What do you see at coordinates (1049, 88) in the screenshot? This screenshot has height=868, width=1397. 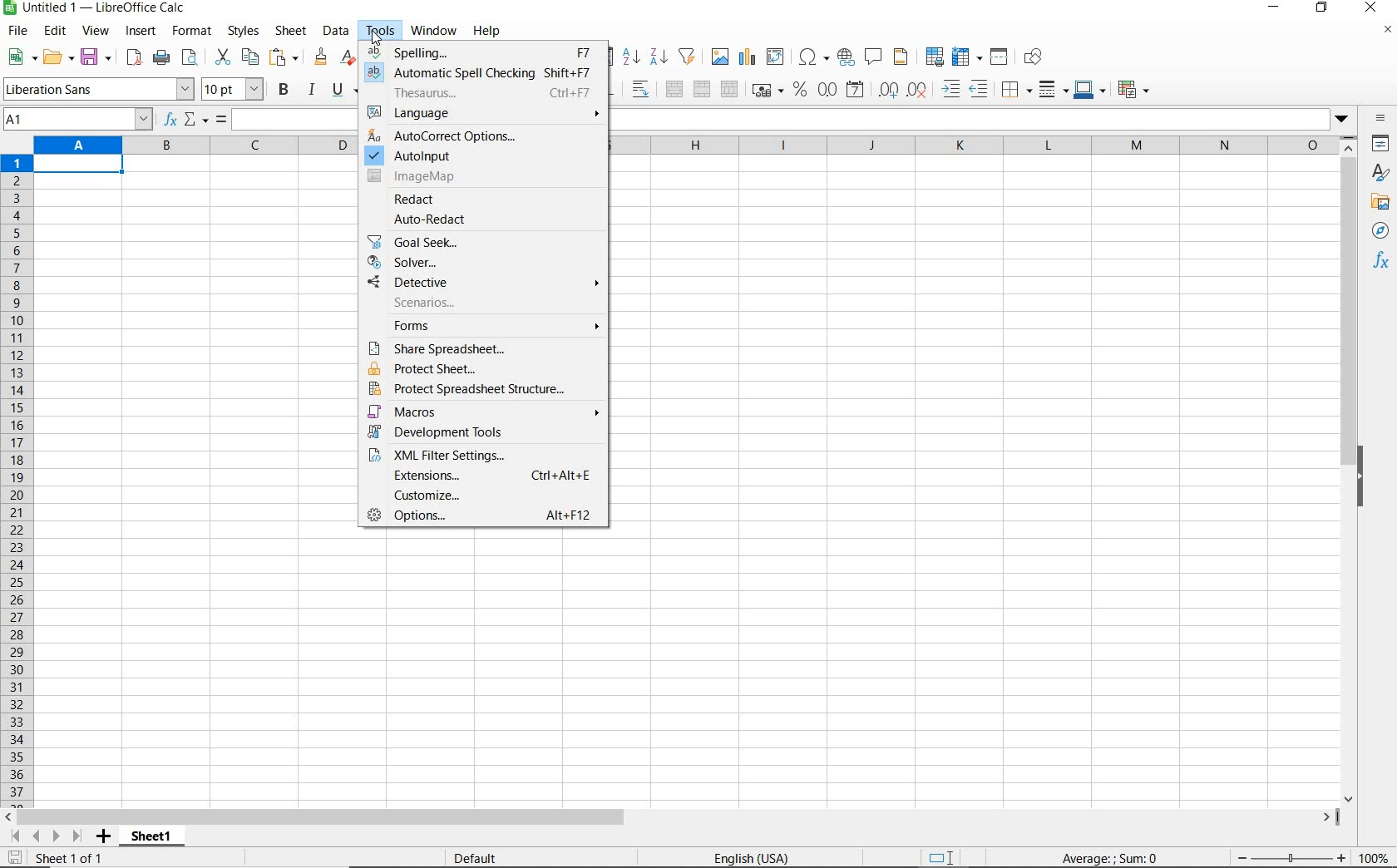 I see `border style` at bounding box center [1049, 88].